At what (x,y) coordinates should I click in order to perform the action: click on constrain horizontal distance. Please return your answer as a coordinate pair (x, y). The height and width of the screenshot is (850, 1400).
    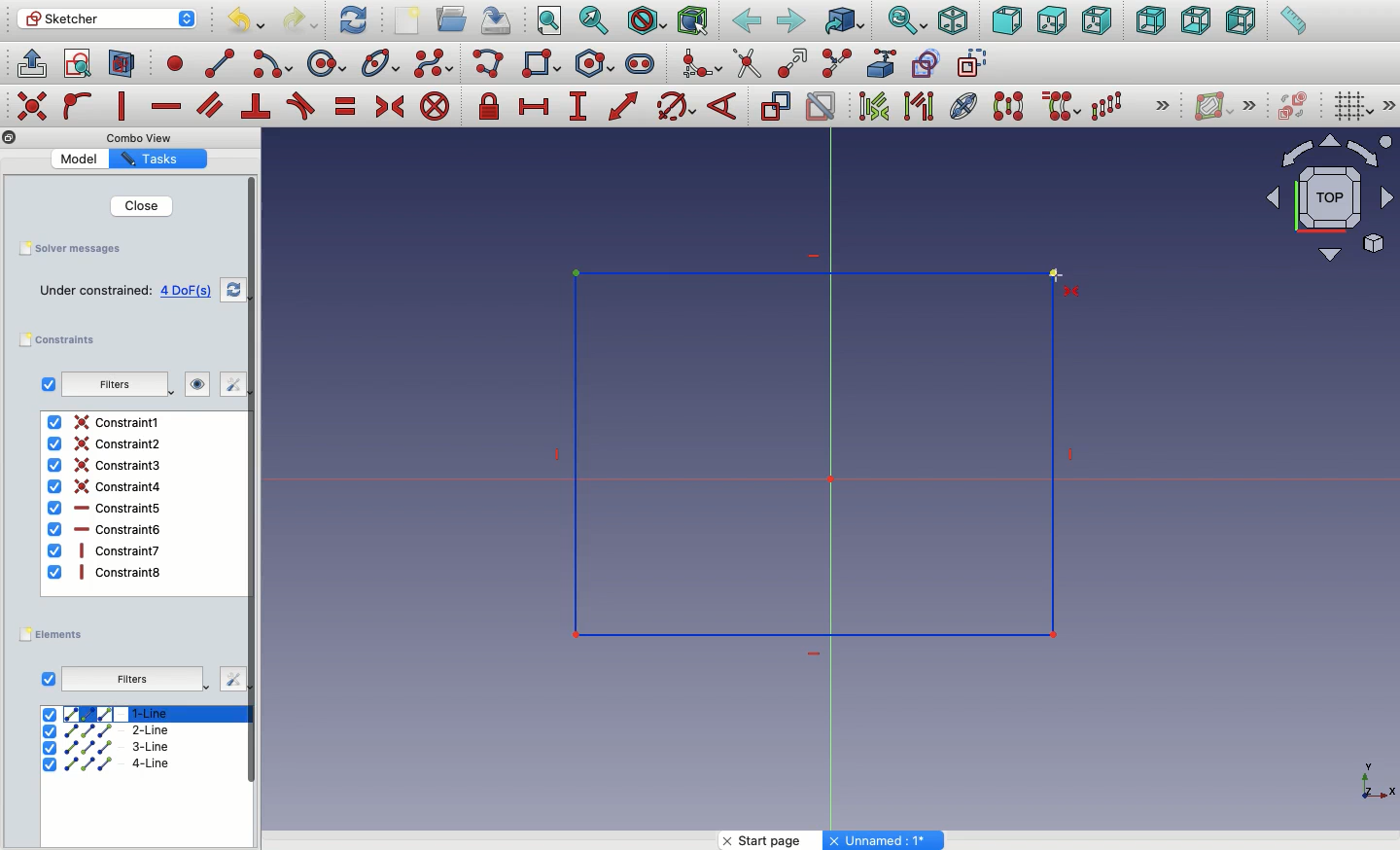
    Looking at the image, I should click on (535, 105).